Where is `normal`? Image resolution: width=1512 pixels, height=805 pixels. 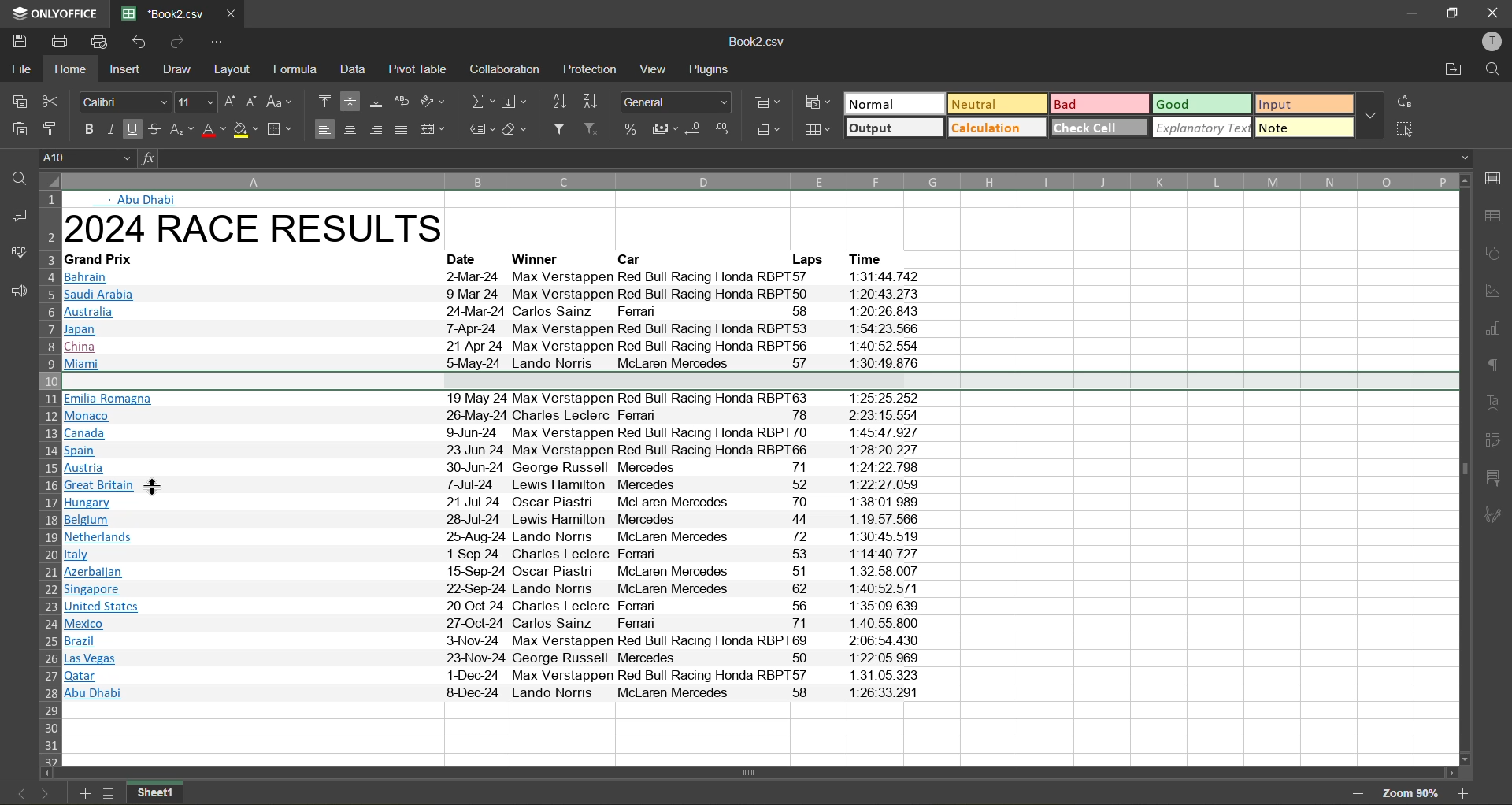 normal is located at coordinates (894, 104).